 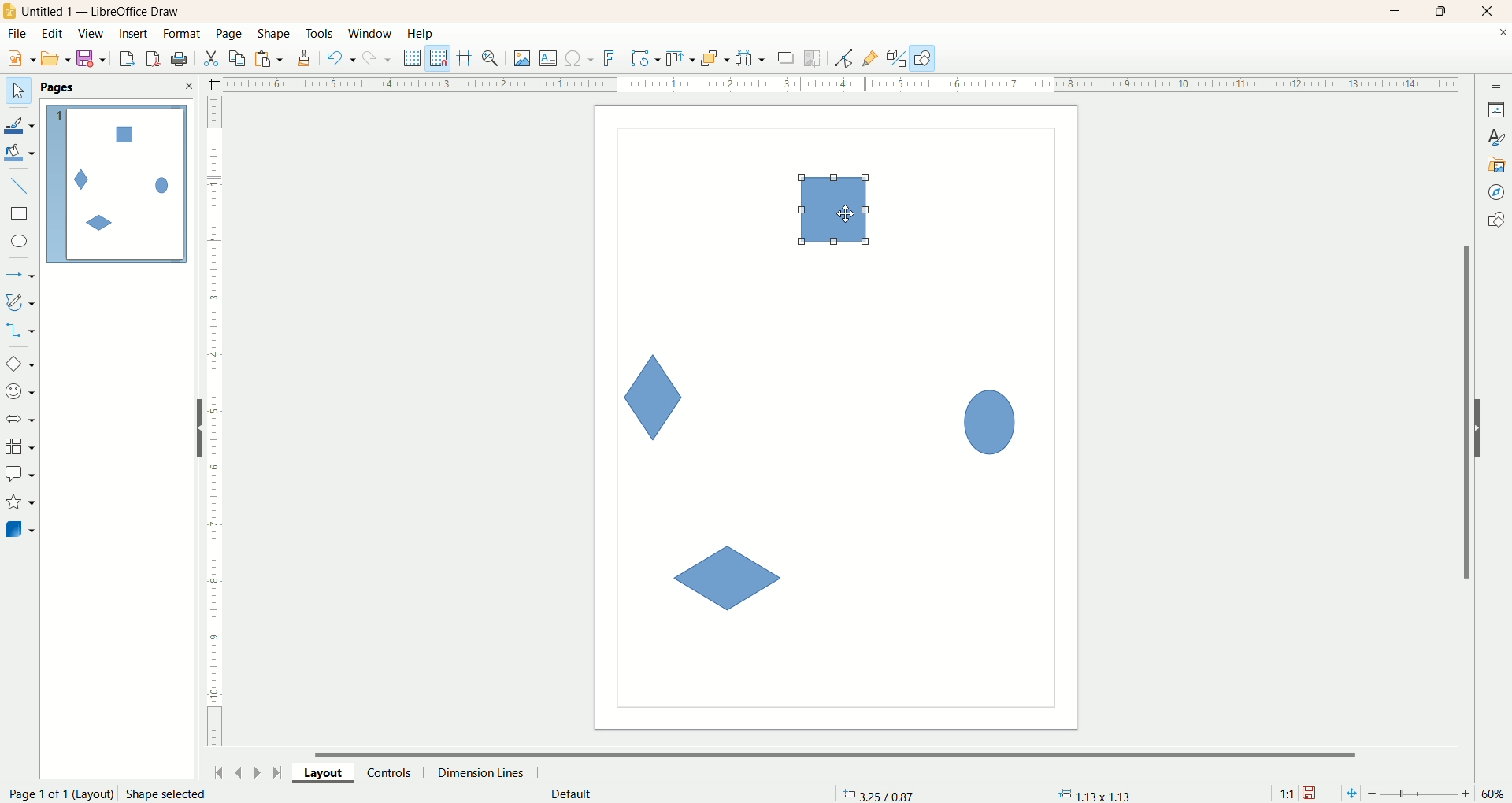 What do you see at coordinates (94, 59) in the screenshot?
I see `save` at bounding box center [94, 59].